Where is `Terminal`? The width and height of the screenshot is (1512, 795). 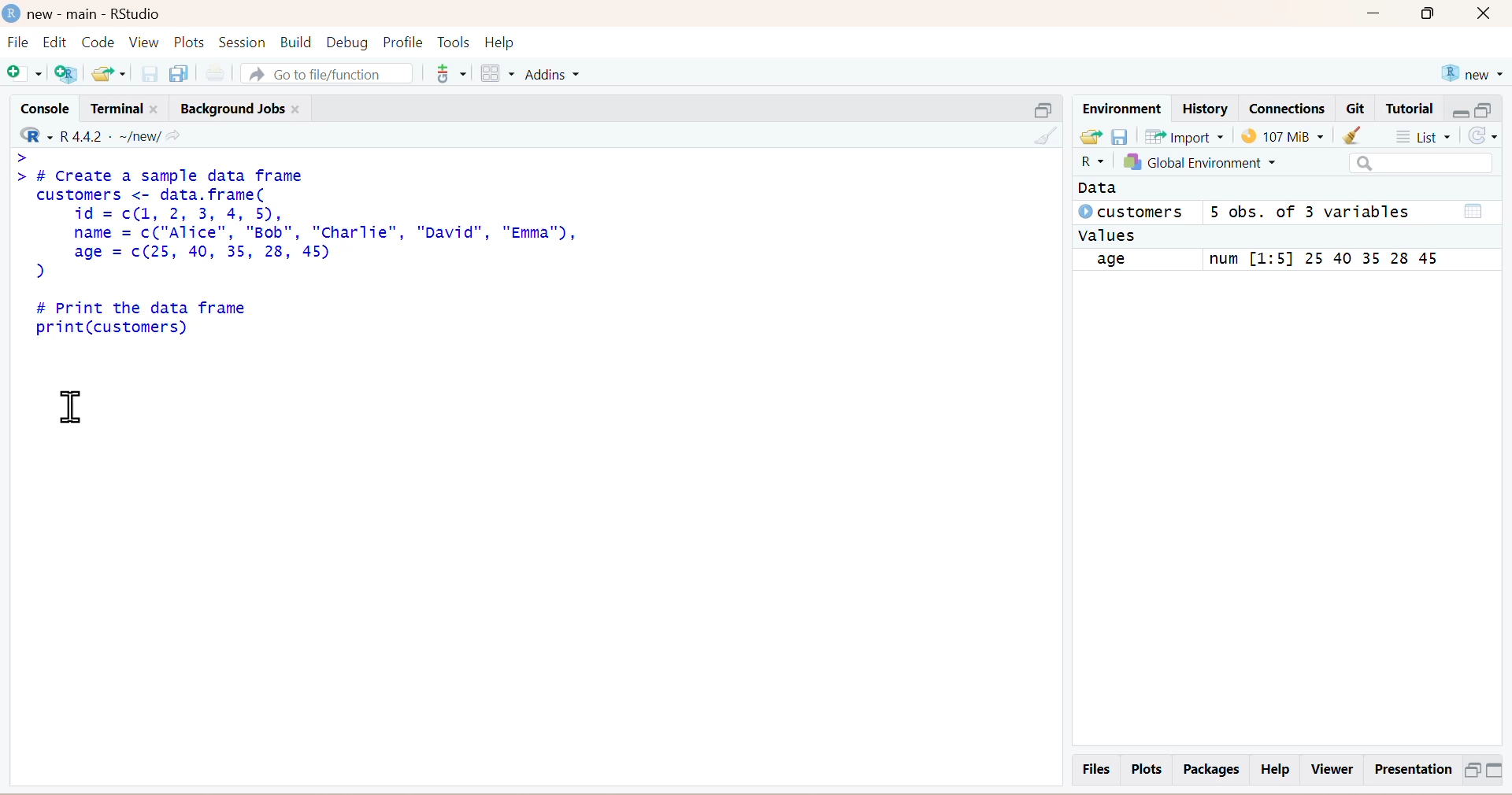
Terminal is located at coordinates (122, 106).